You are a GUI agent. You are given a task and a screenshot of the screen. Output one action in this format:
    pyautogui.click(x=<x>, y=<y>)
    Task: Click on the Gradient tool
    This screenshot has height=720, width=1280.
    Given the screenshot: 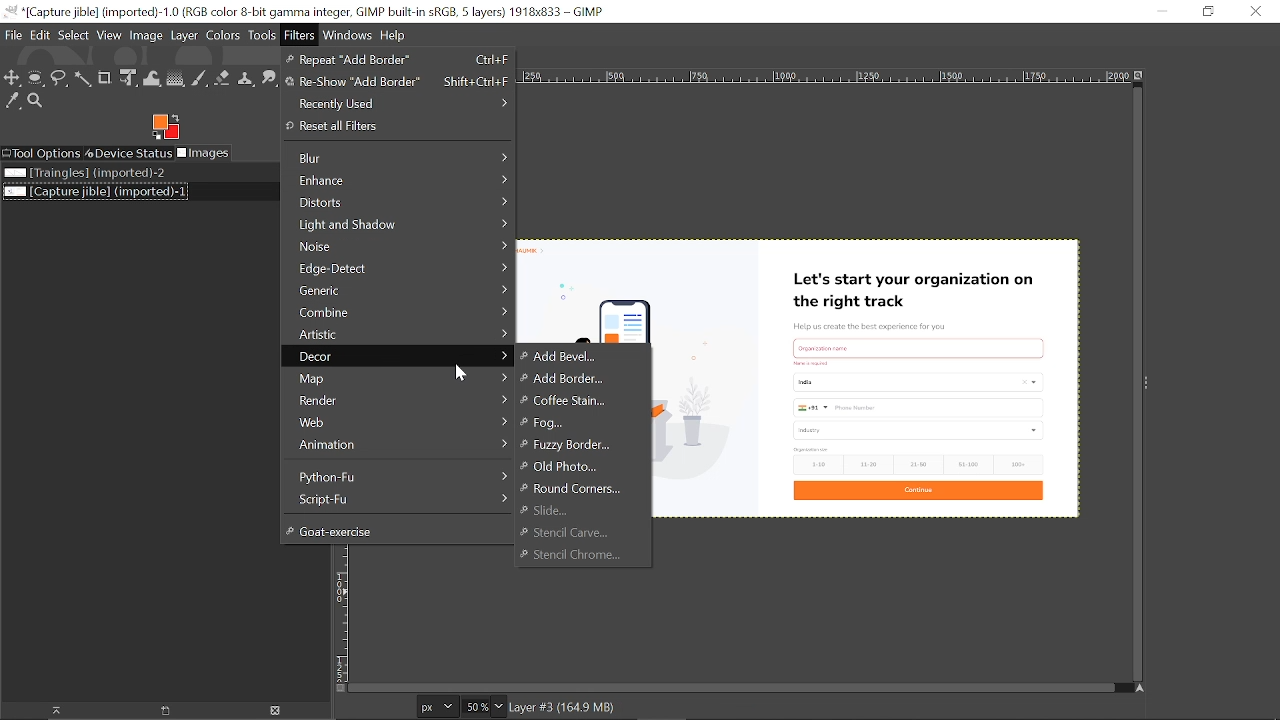 What is the action you would take?
    pyautogui.click(x=176, y=78)
    